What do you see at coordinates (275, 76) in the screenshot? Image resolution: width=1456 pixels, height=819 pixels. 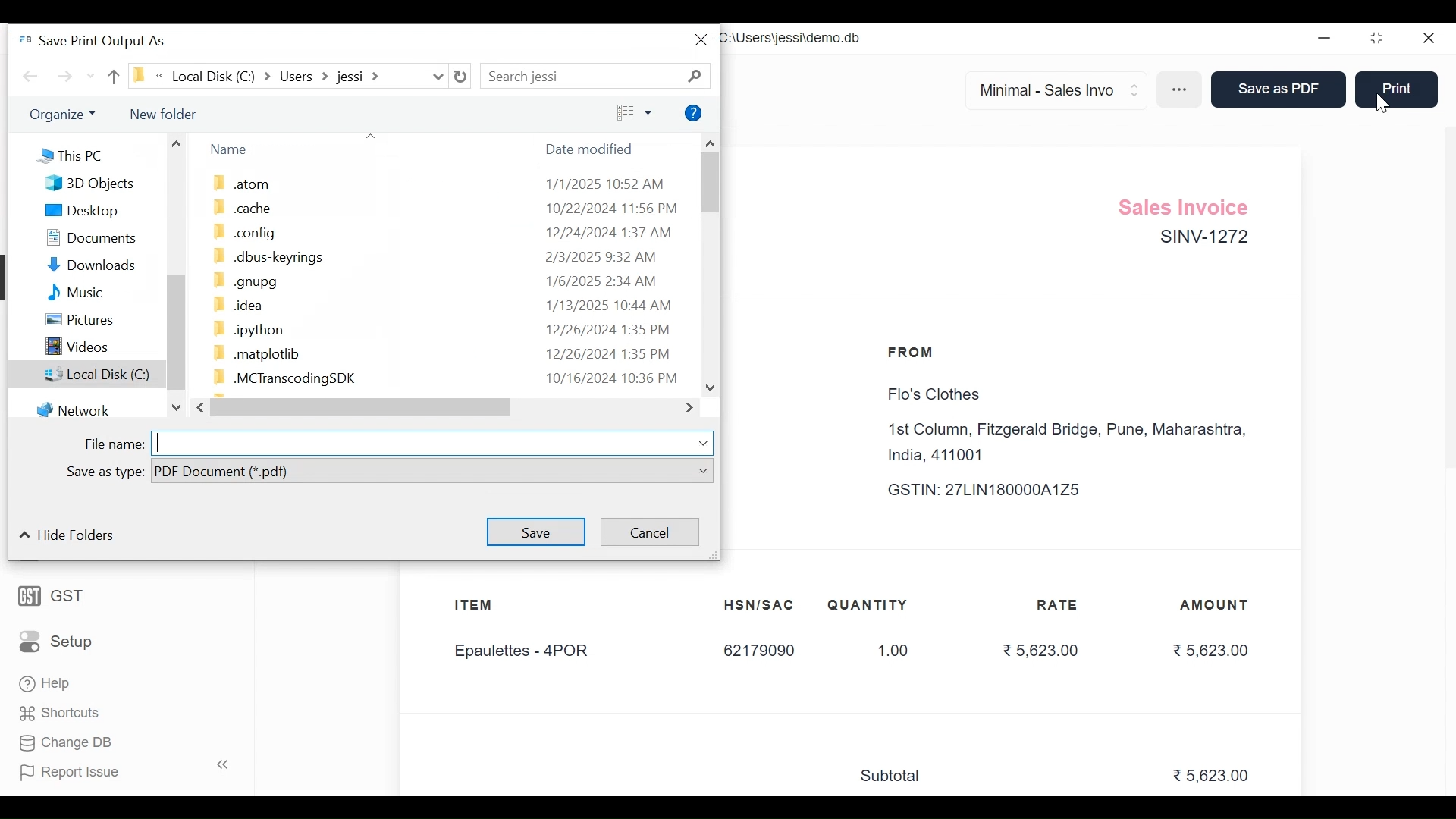 I see `Local Disk (C)) » Users > jessi >` at bounding box center [275, 76].